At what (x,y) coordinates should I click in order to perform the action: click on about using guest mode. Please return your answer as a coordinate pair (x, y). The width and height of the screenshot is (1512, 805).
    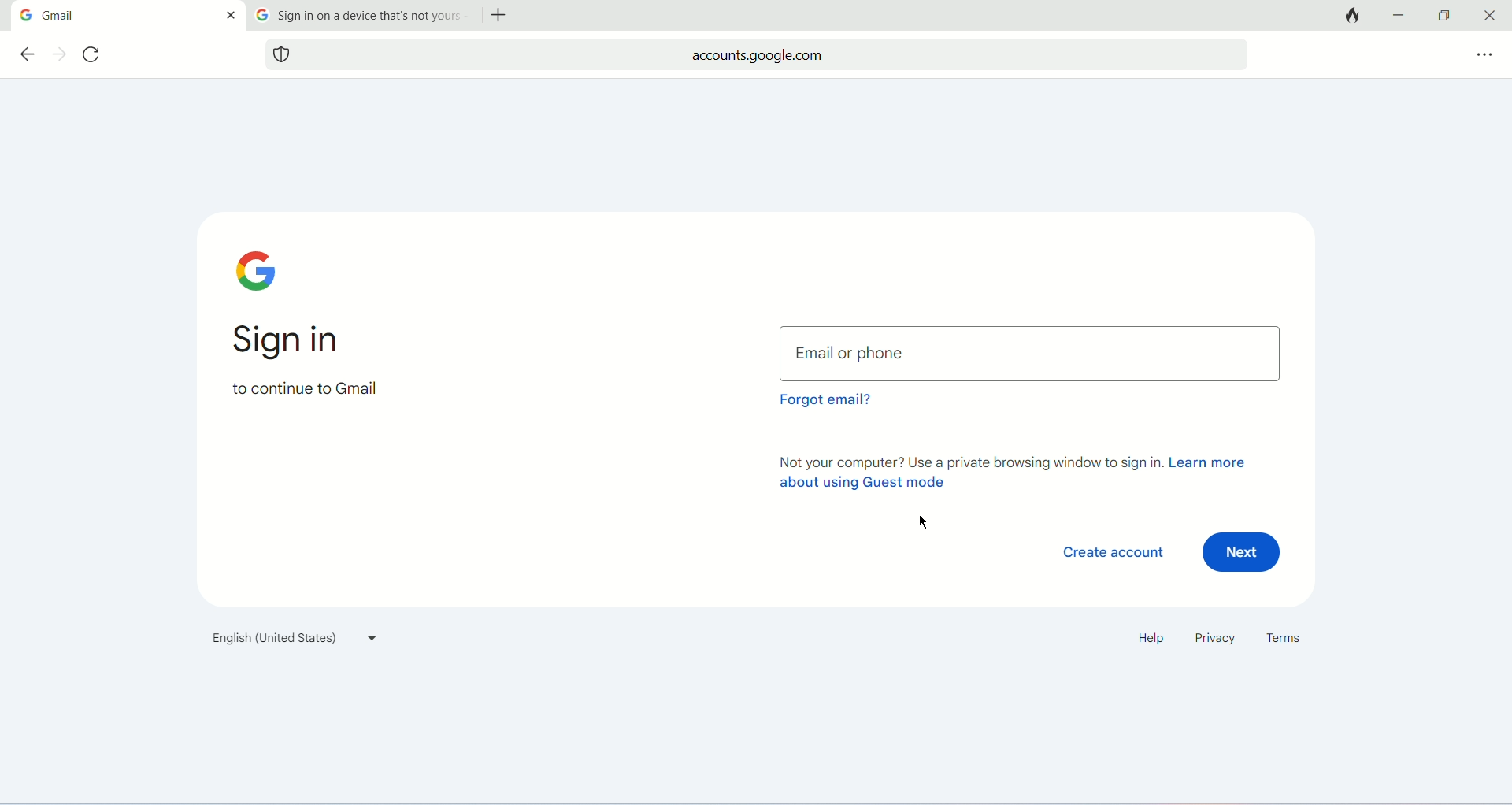
    Looking at the image, I should click on (859, 484).